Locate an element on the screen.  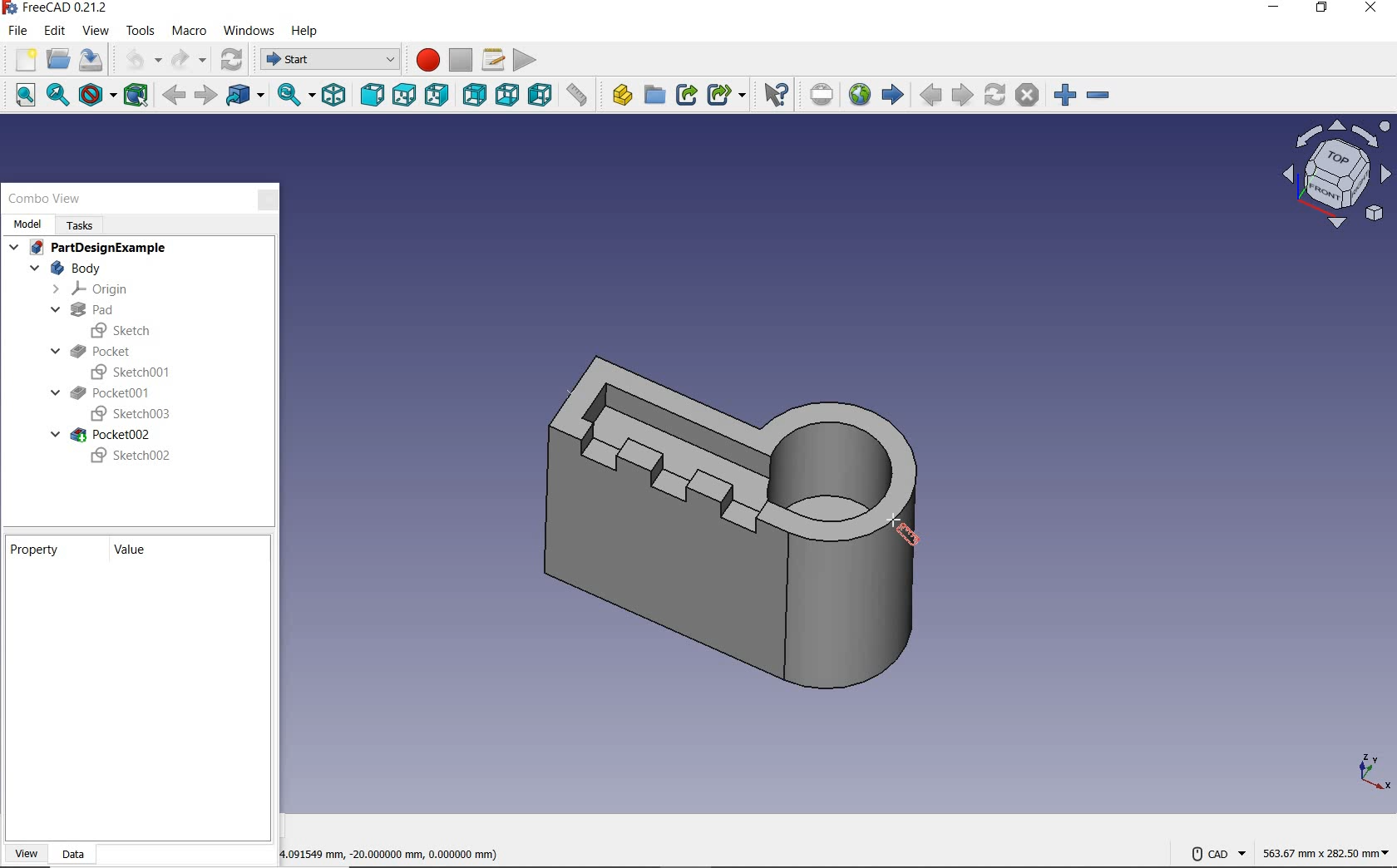
fit all is located at coordinates (18, 96).